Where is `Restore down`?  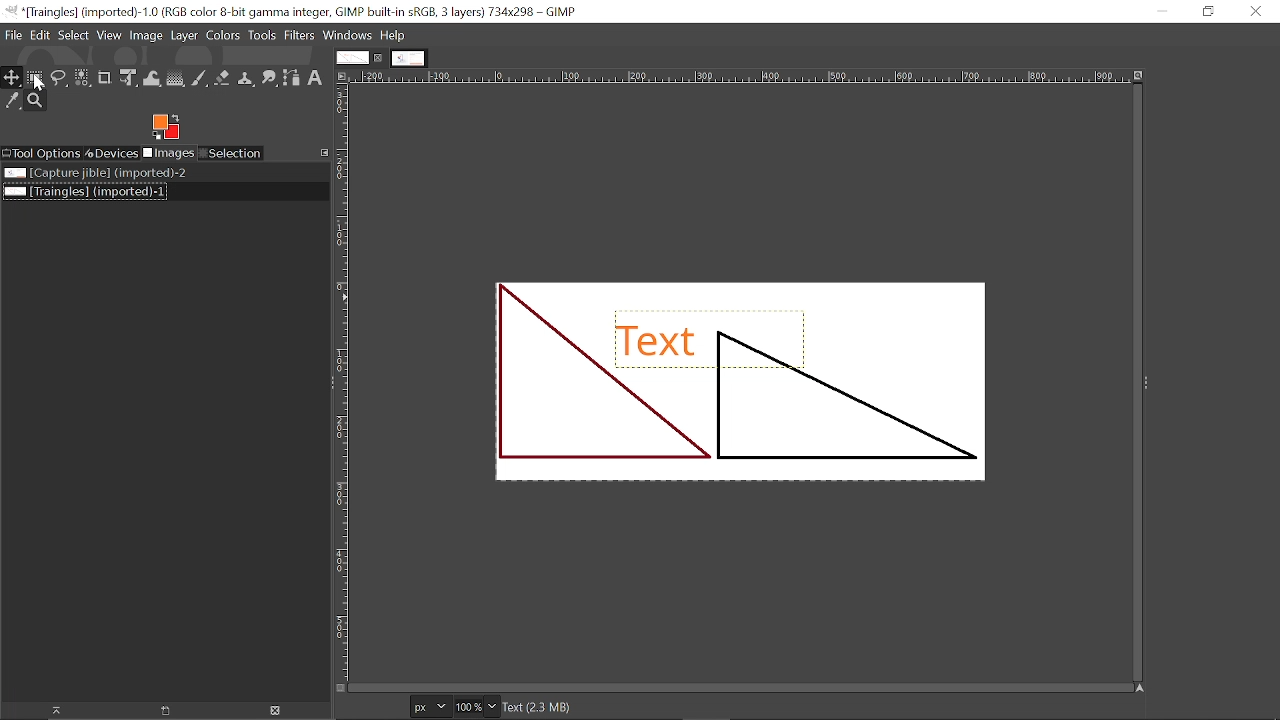 Restore down is located at coordinates (1210, 12).